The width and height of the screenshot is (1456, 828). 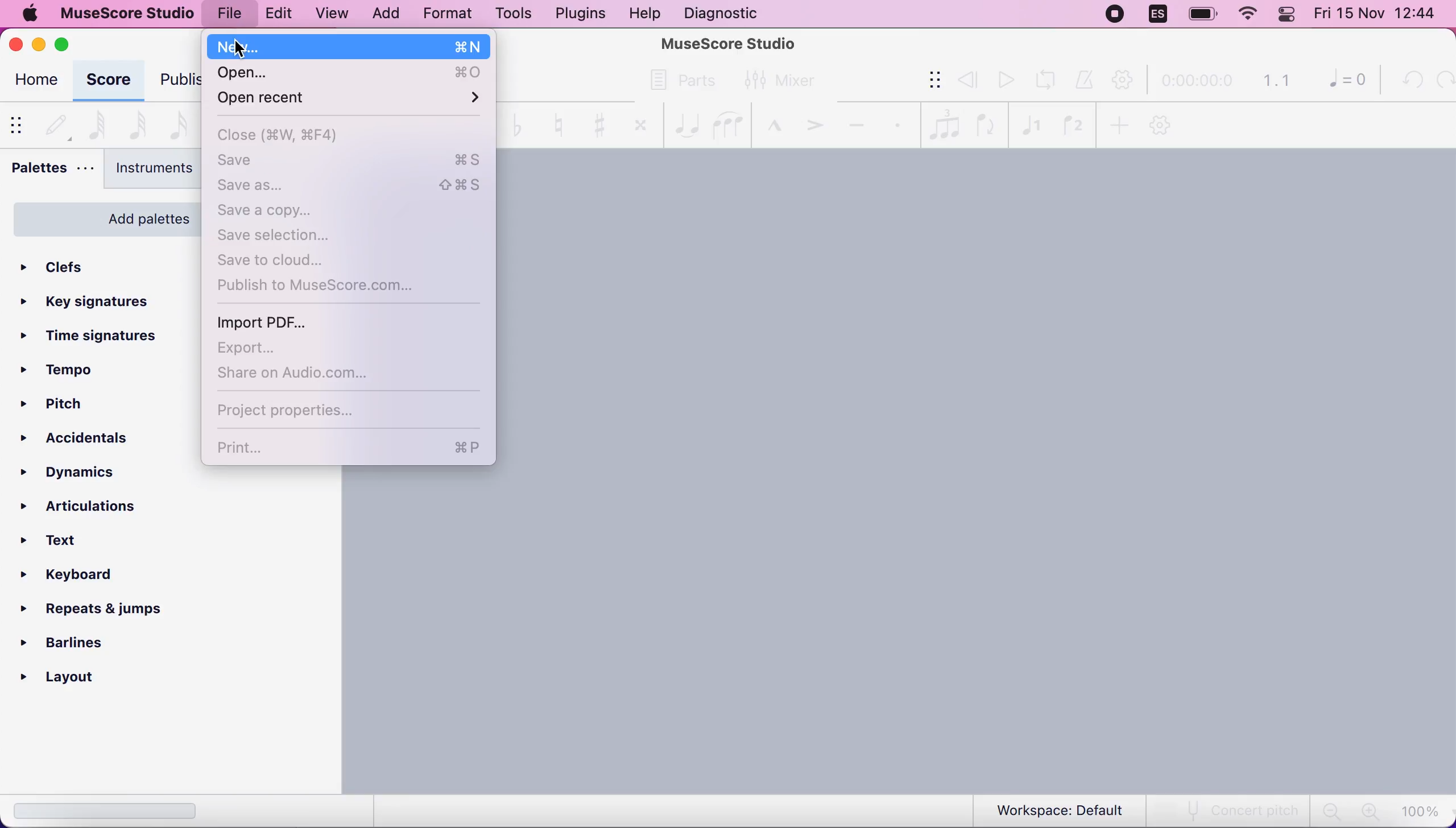 What do you see at coordinates (99, 263) in the screenshot?
I see `clefs` at bounding box center [99, 263].